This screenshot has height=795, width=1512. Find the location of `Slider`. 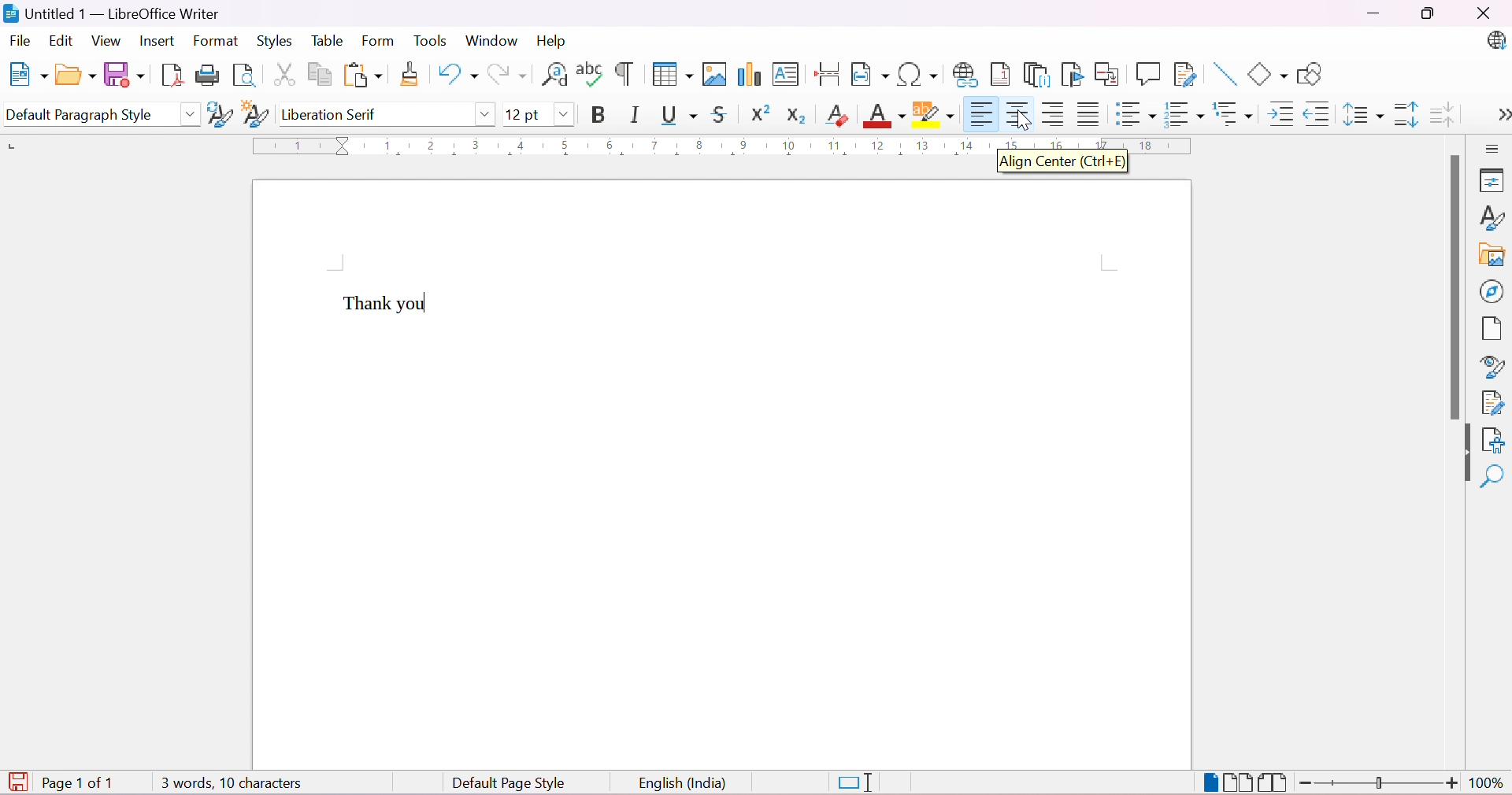

Slider is located at coordinates (1380, 783).